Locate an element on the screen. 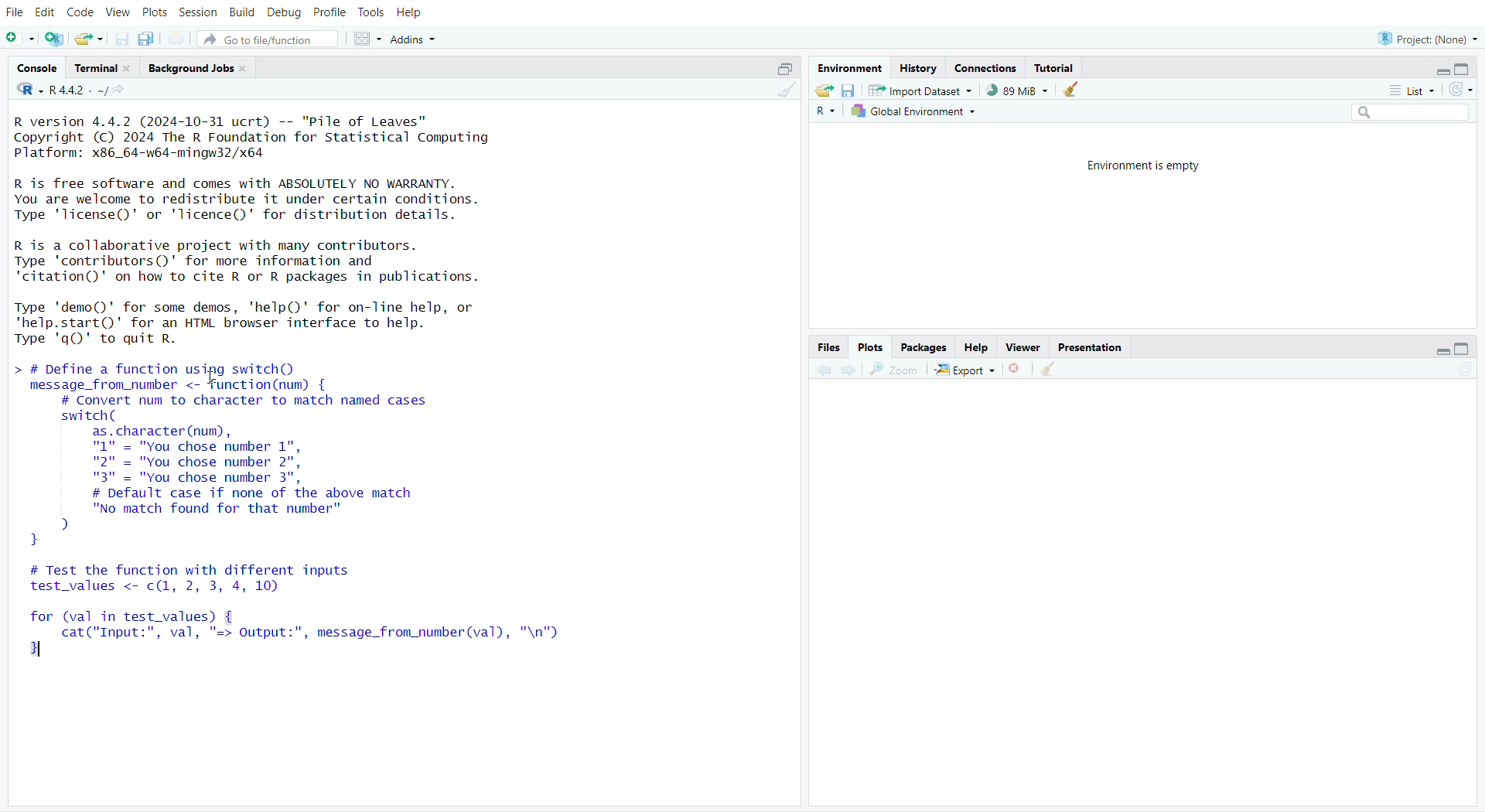 The image size is (1485, 812). Load workspace is located at coordinates (824, 91).